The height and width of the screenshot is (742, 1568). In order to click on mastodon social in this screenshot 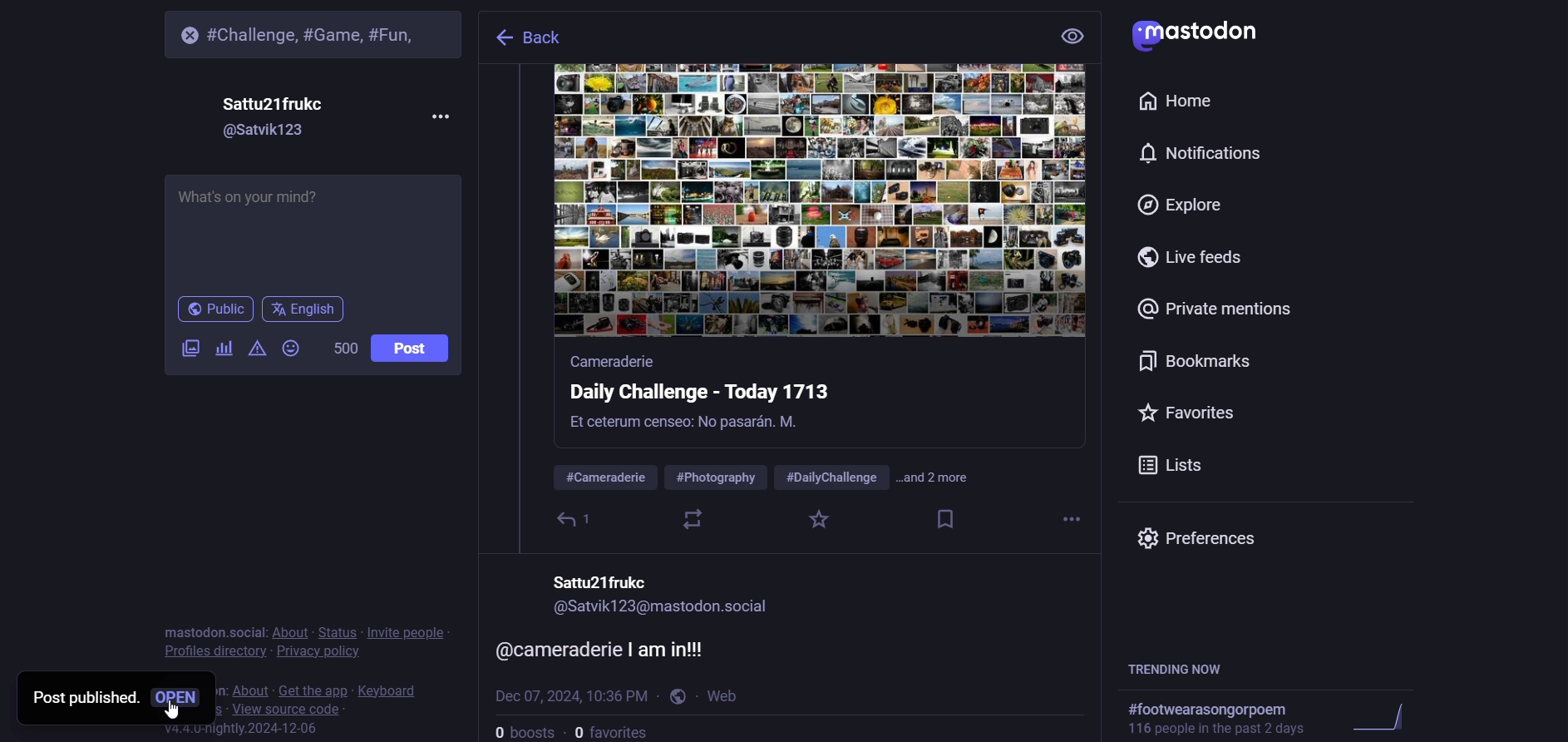, I will do `click(212, 631)`.